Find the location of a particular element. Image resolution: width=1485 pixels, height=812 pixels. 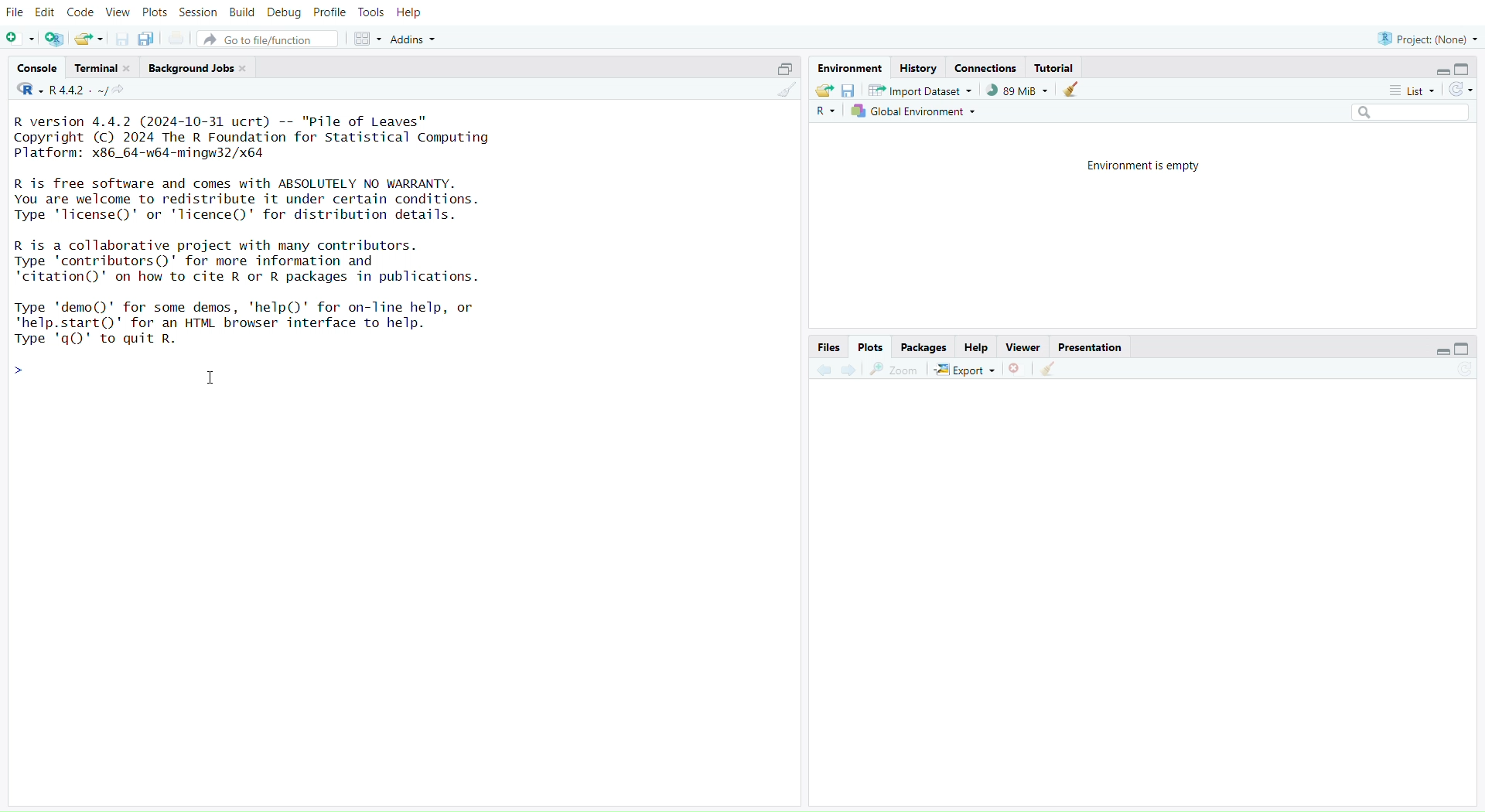

Go back to the previous source location (Ctrl + F9) is located at coordinates (823, 368).